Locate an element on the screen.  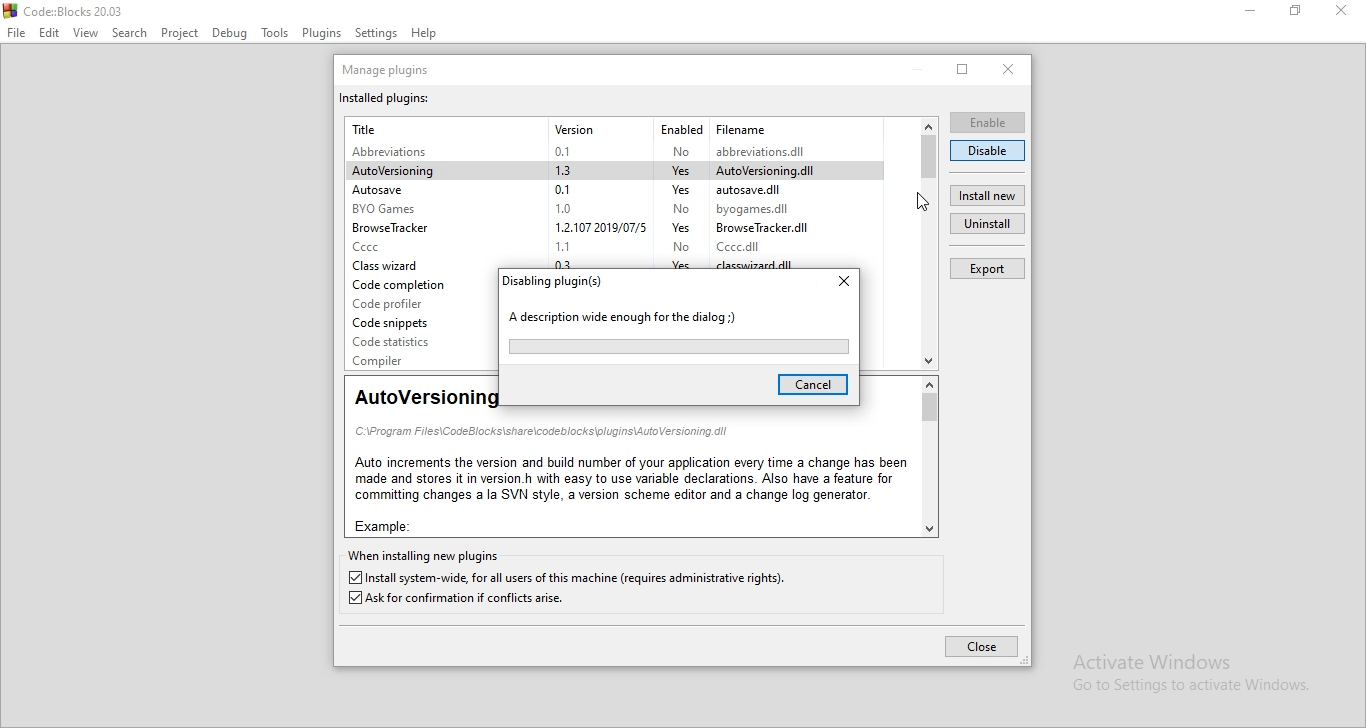
scroll up is located at coordinates (928, 384).